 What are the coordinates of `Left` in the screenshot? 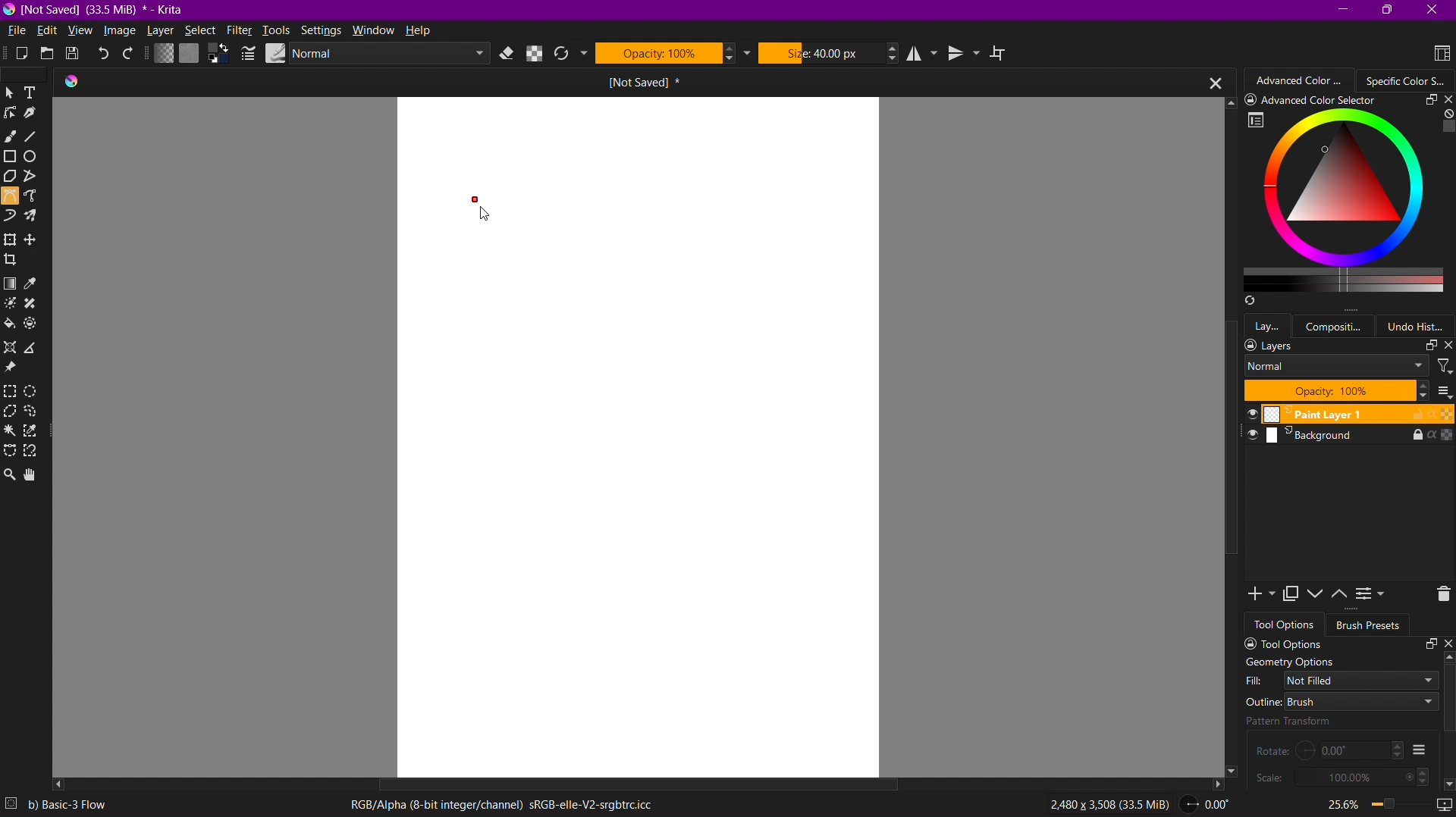 It's located at (60, 784).